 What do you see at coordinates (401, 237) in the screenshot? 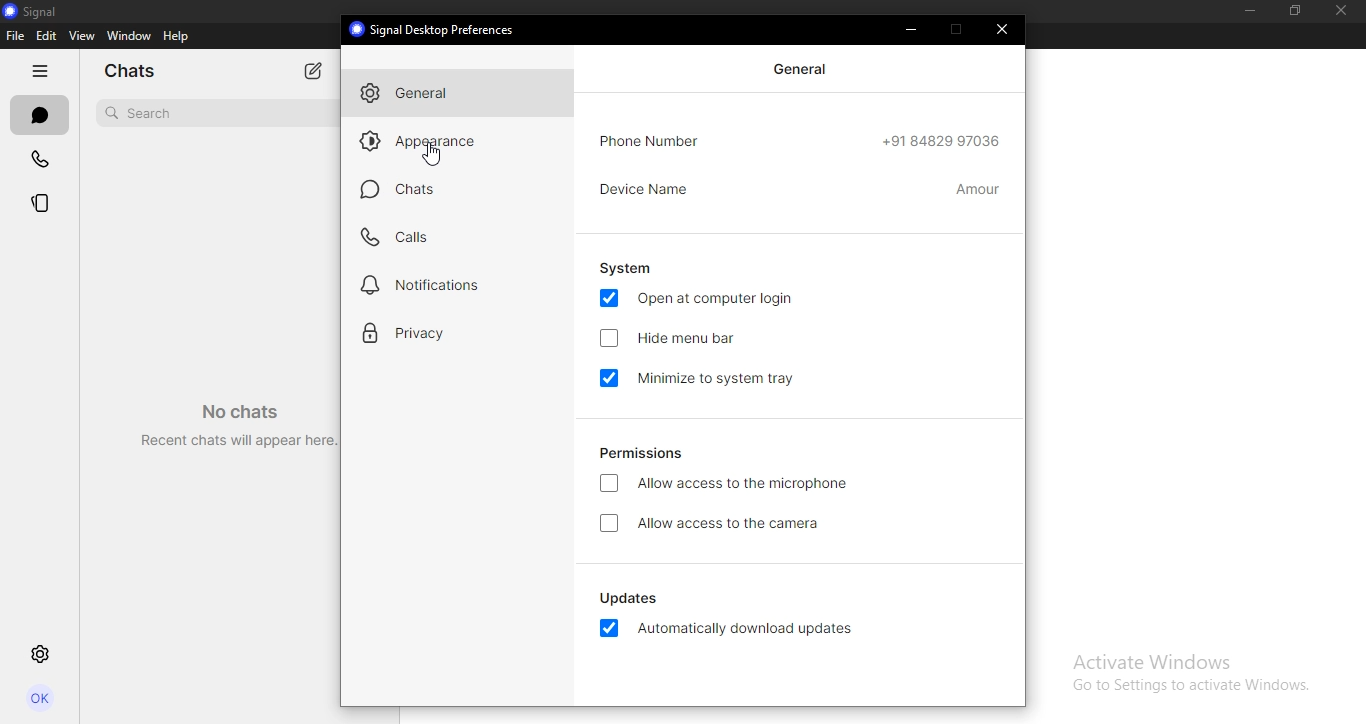
I see `calls` at bounding box center [401, 237].